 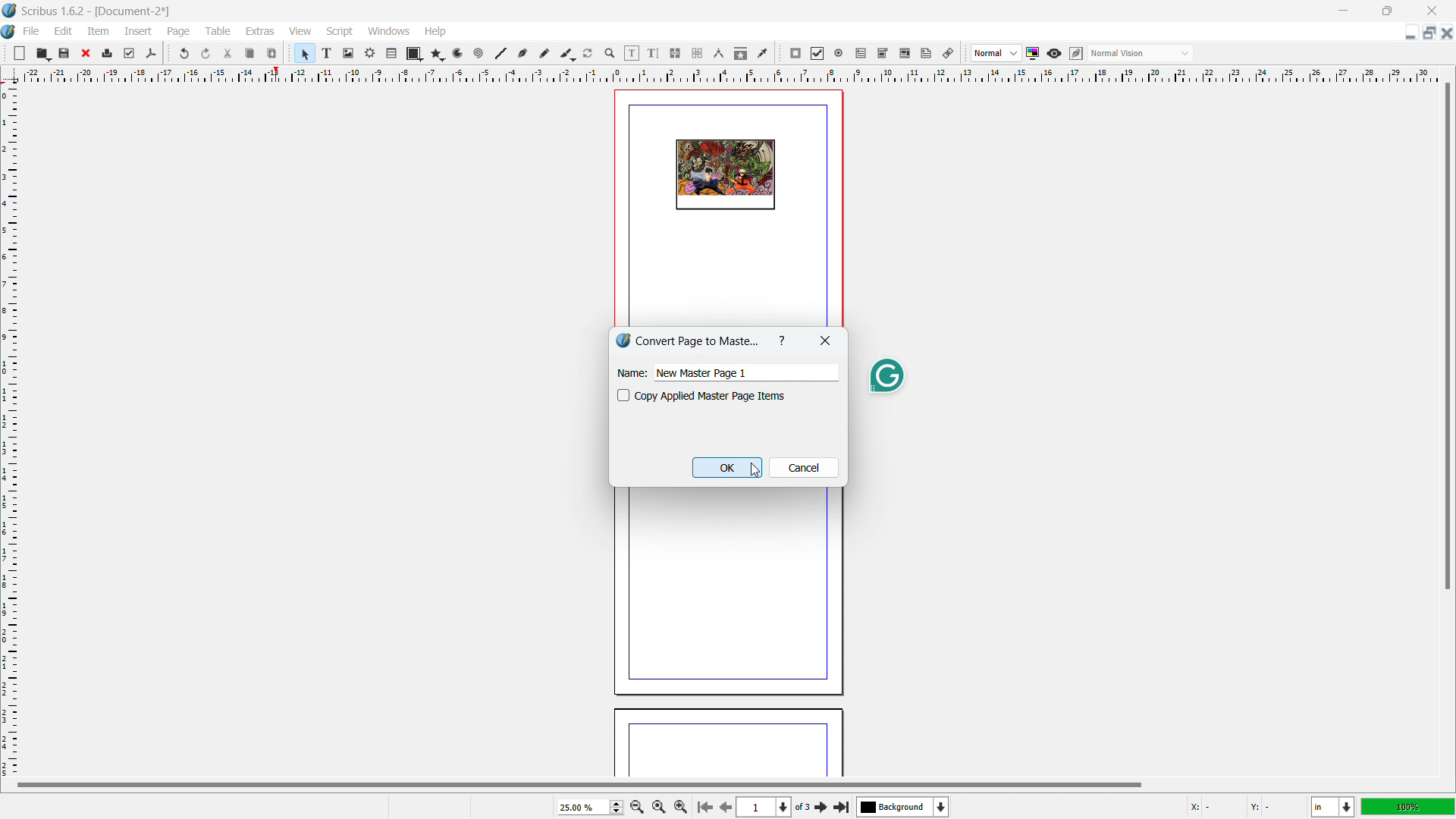 I want to click on move toolbox, so click(x=5, y=52).